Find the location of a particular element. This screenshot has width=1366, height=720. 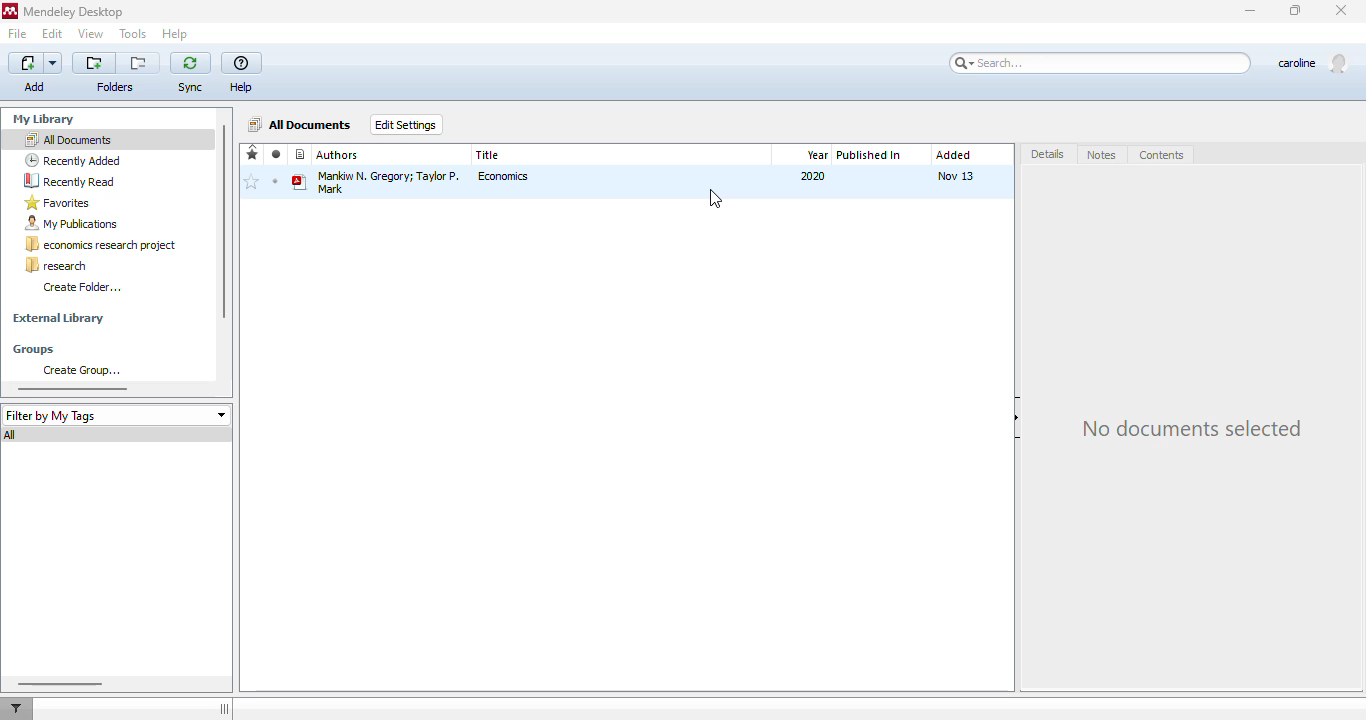

search is located at coordinates (1101, 63).